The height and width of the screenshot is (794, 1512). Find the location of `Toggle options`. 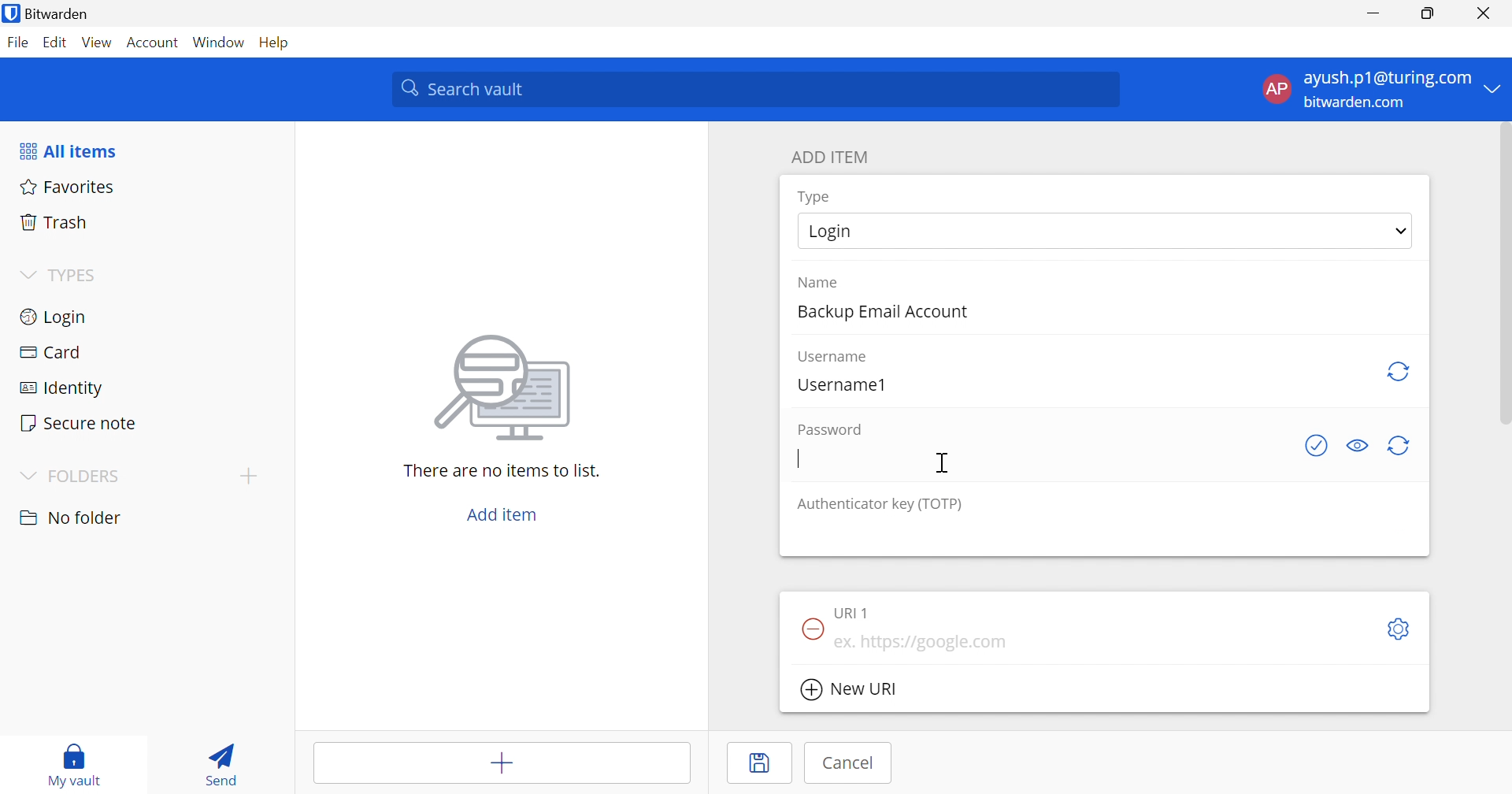

Toggle options is located at coordinates (1401, 630).